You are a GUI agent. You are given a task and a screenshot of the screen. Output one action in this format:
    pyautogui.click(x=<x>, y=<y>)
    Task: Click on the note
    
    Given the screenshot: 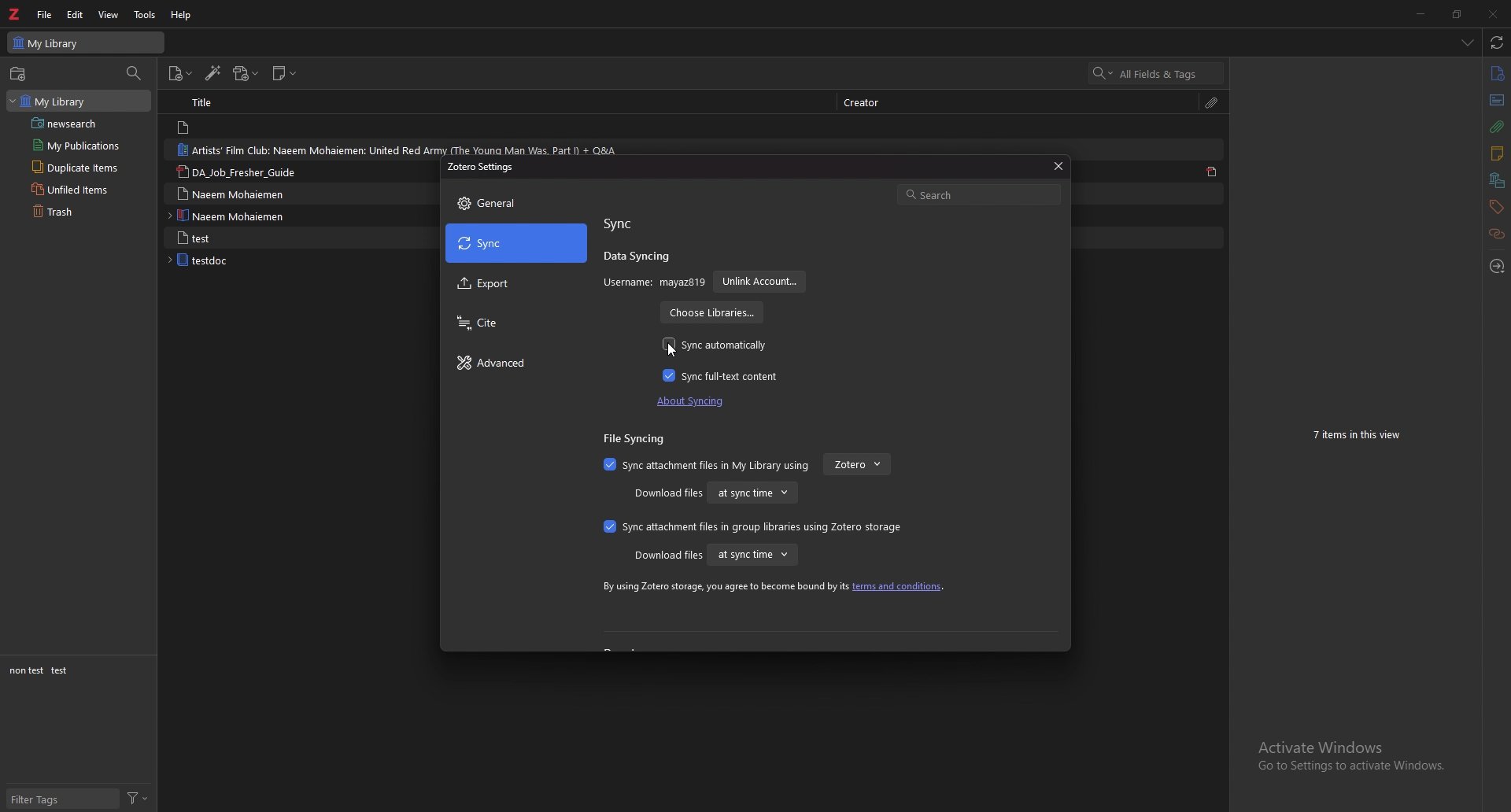 What is the action you would take?
    pyautogui.click(x=227, y=127)
    